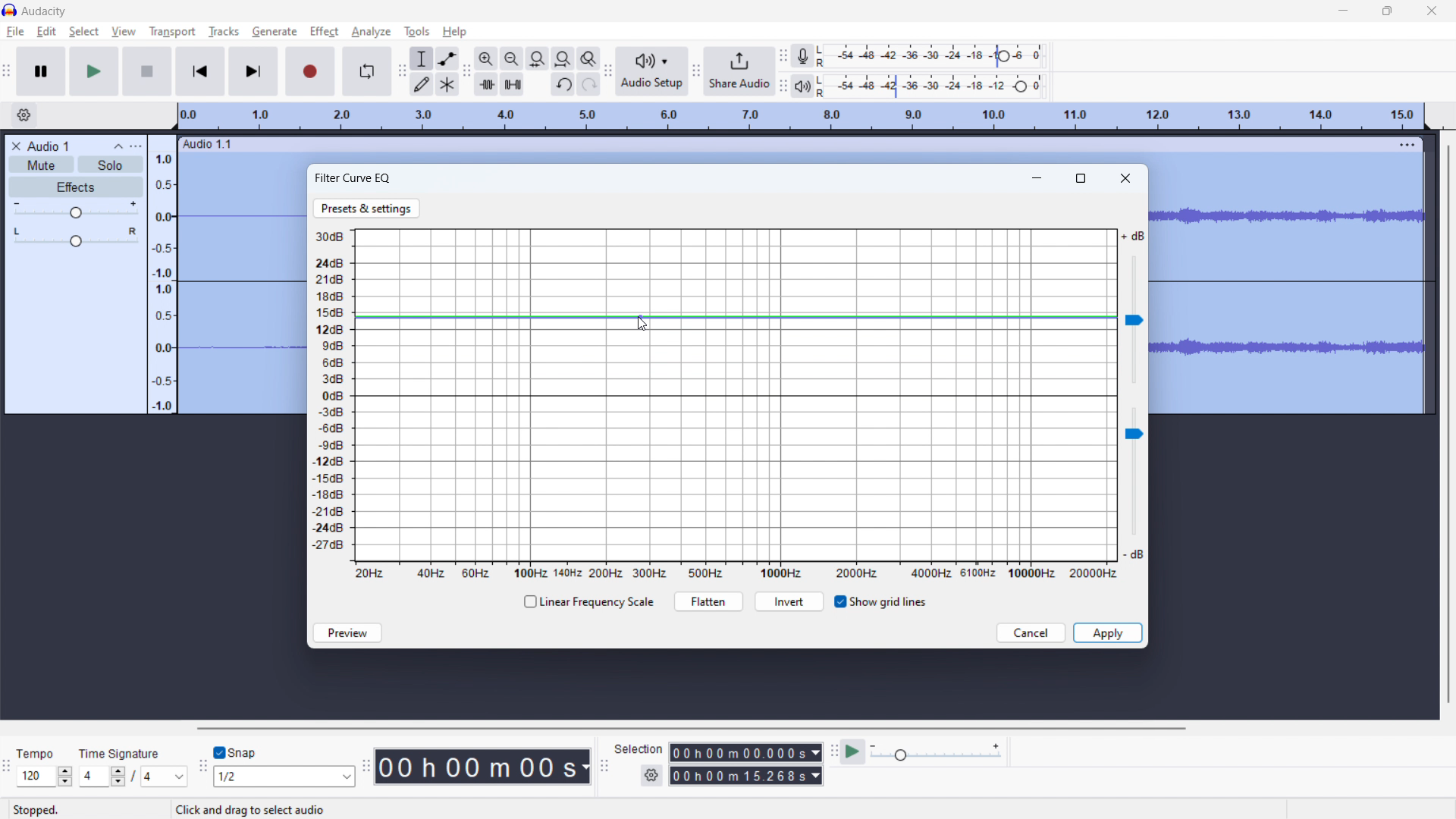  I want to click on mute, so click(41, 164).